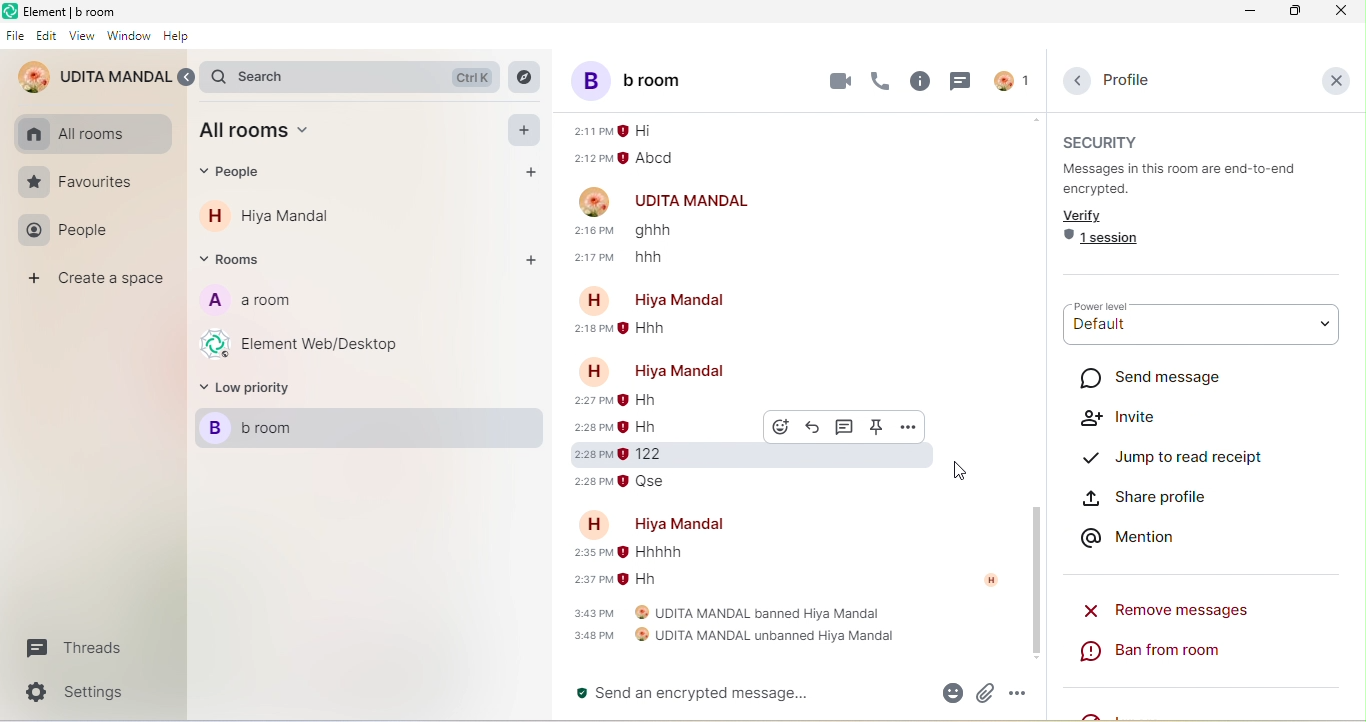 This screenshot has width=1366, height=722. I want to click on add , so click(527, 130).